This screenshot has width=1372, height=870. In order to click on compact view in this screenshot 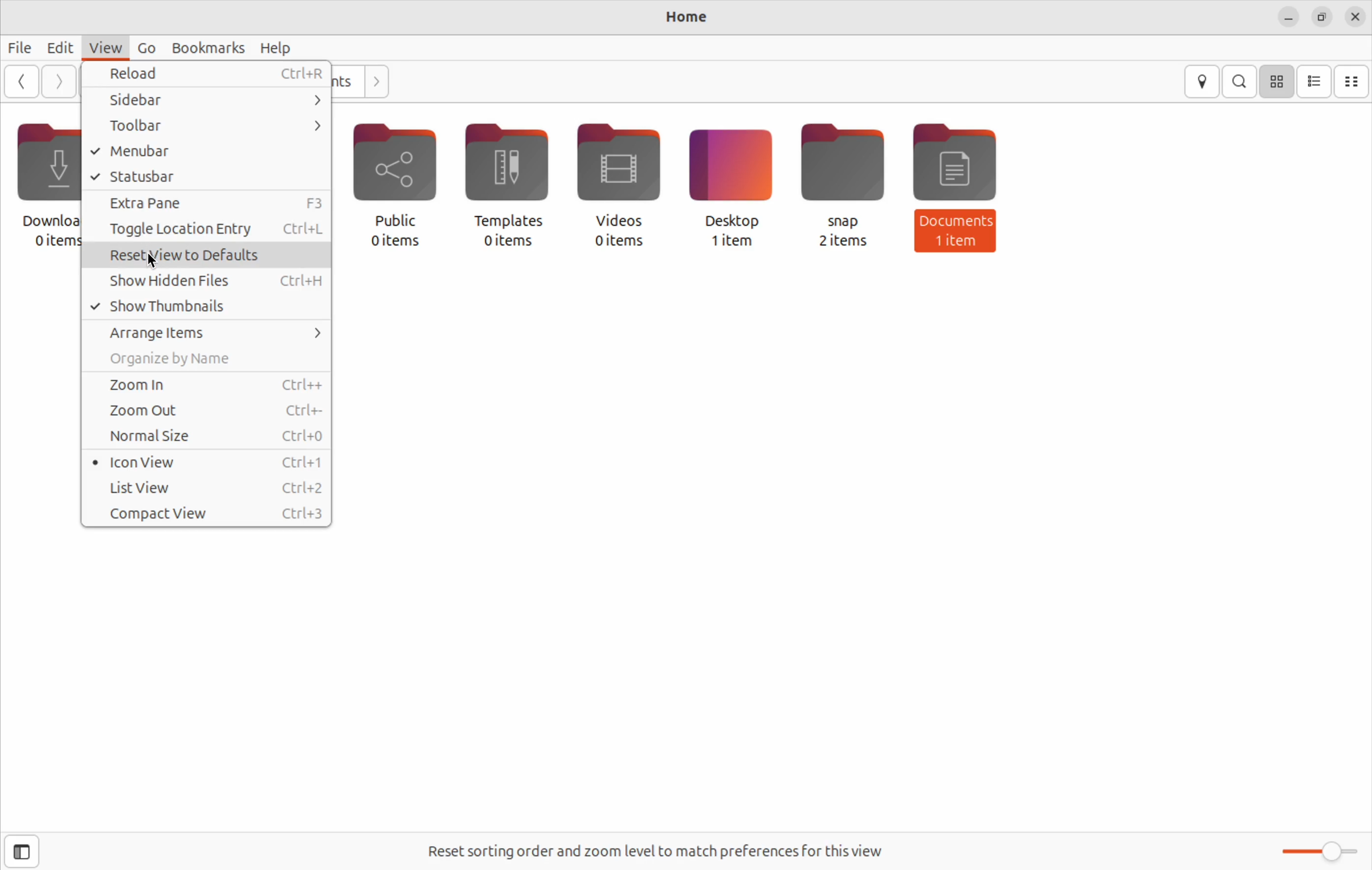, I will do `click(1355, 80)`.